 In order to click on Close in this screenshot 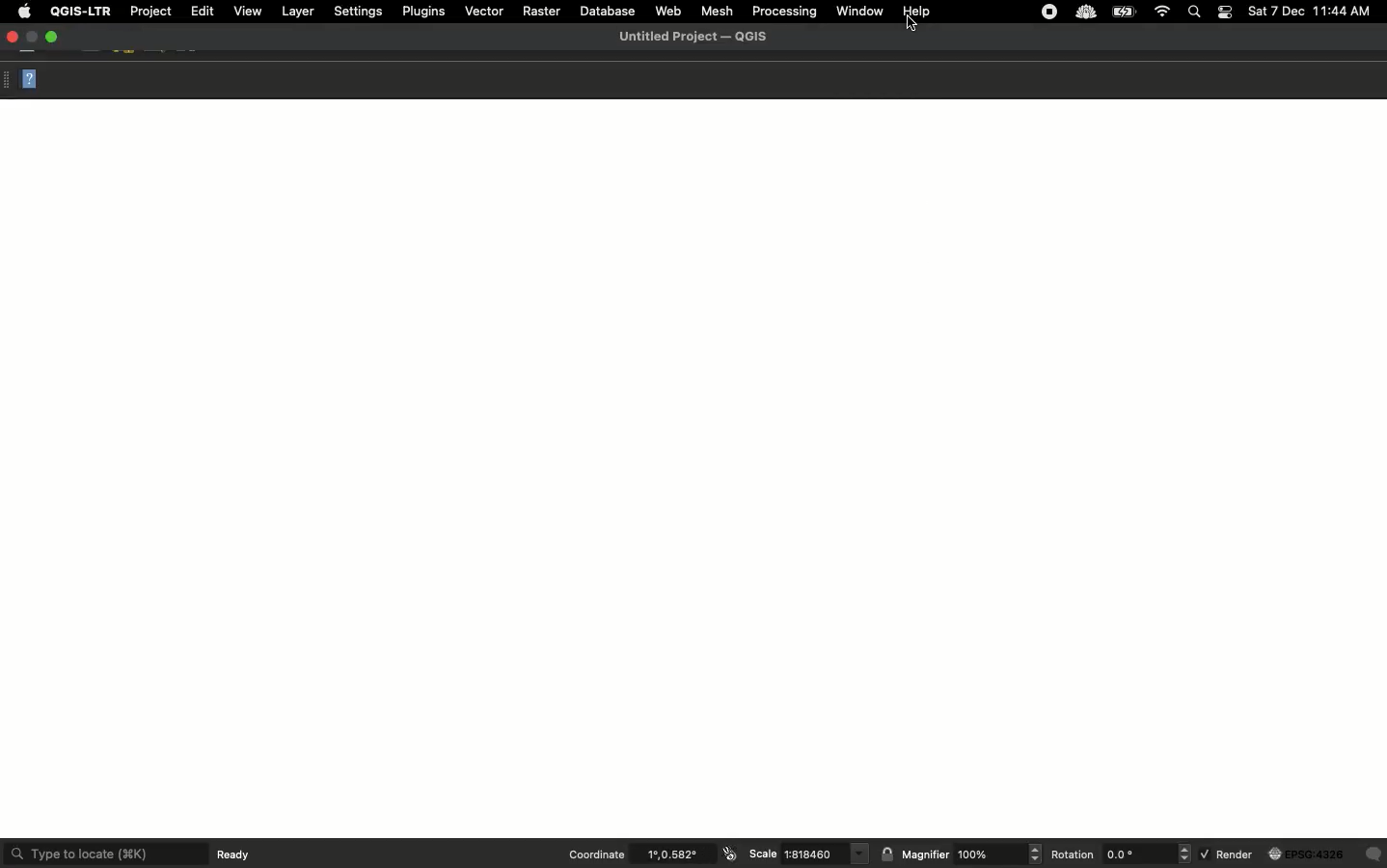, I will do `click(13, 38)`.